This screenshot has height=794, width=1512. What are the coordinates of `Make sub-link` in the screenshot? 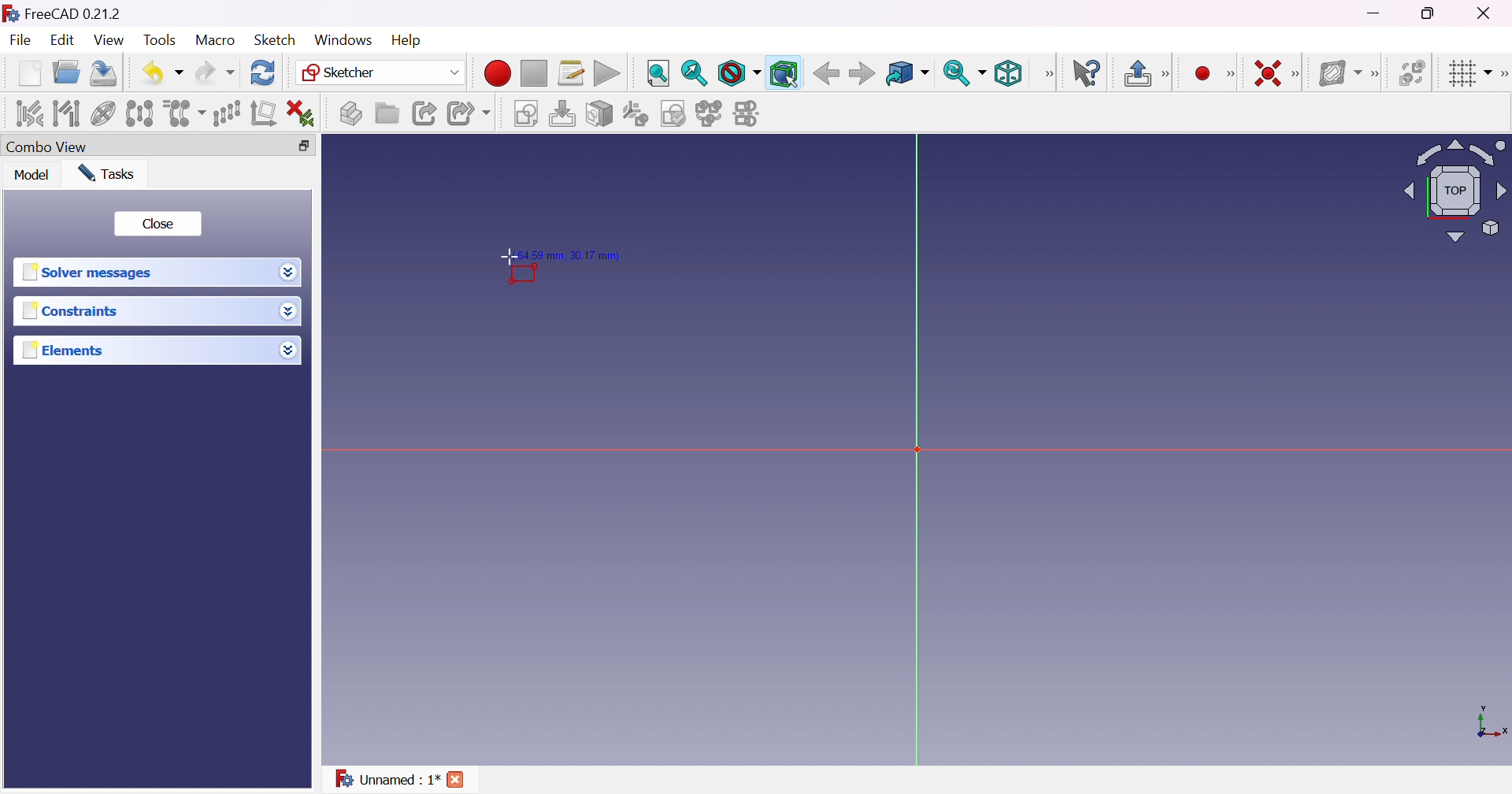 It's located at (469, 113).